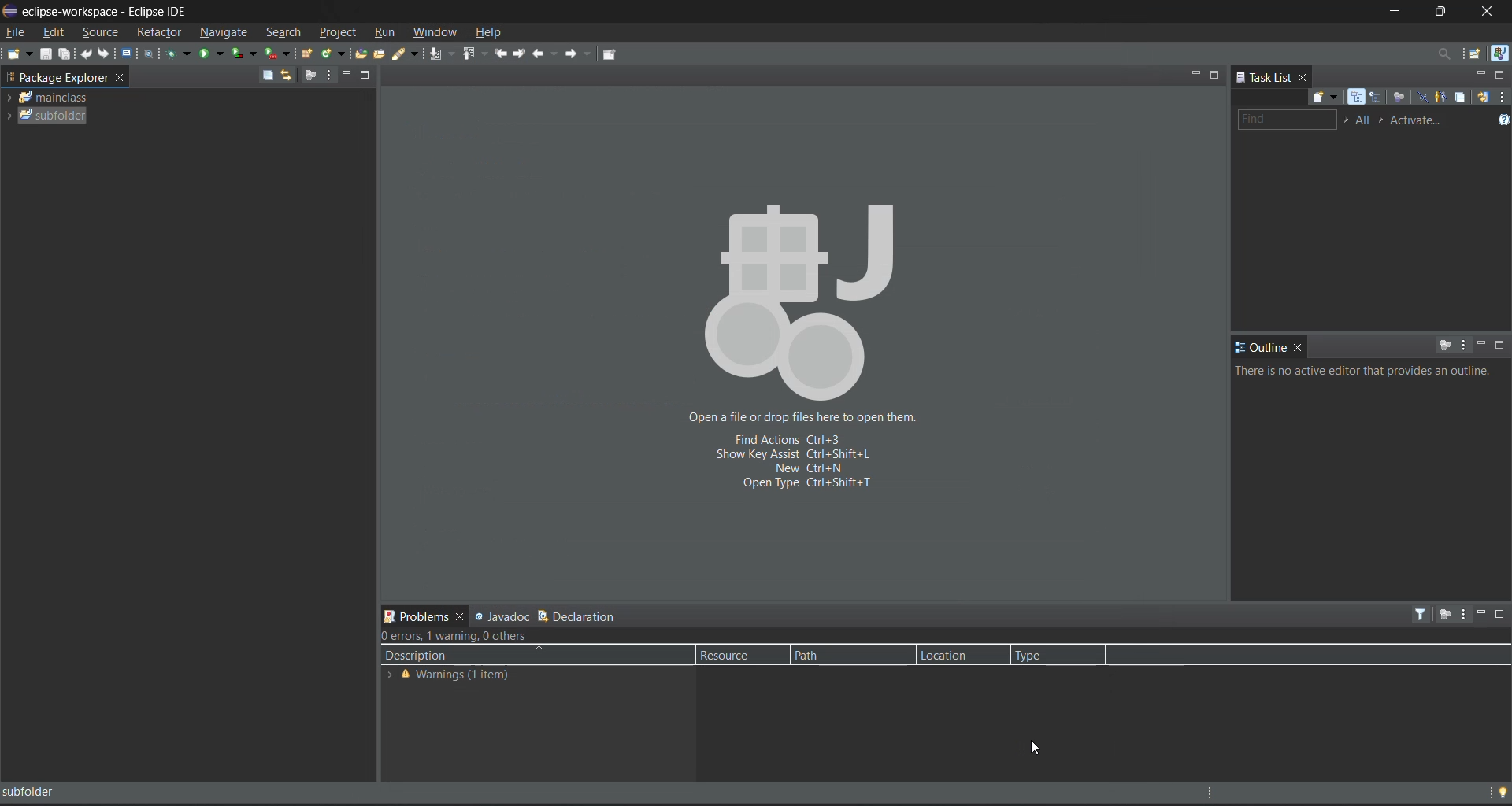 The image size is (1512, 806). I want to click on find, so click(1287, 120).